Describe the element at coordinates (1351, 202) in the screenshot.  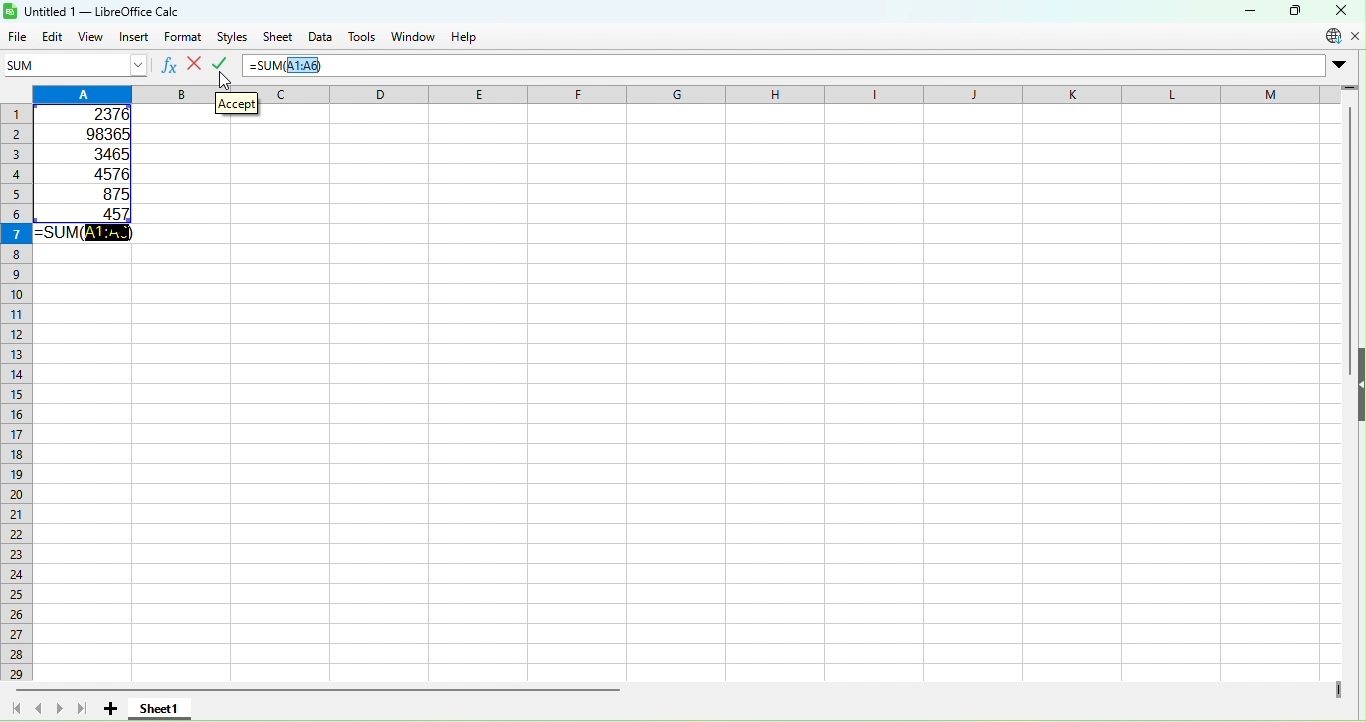
I see `Vertical scroll bar` at that location.